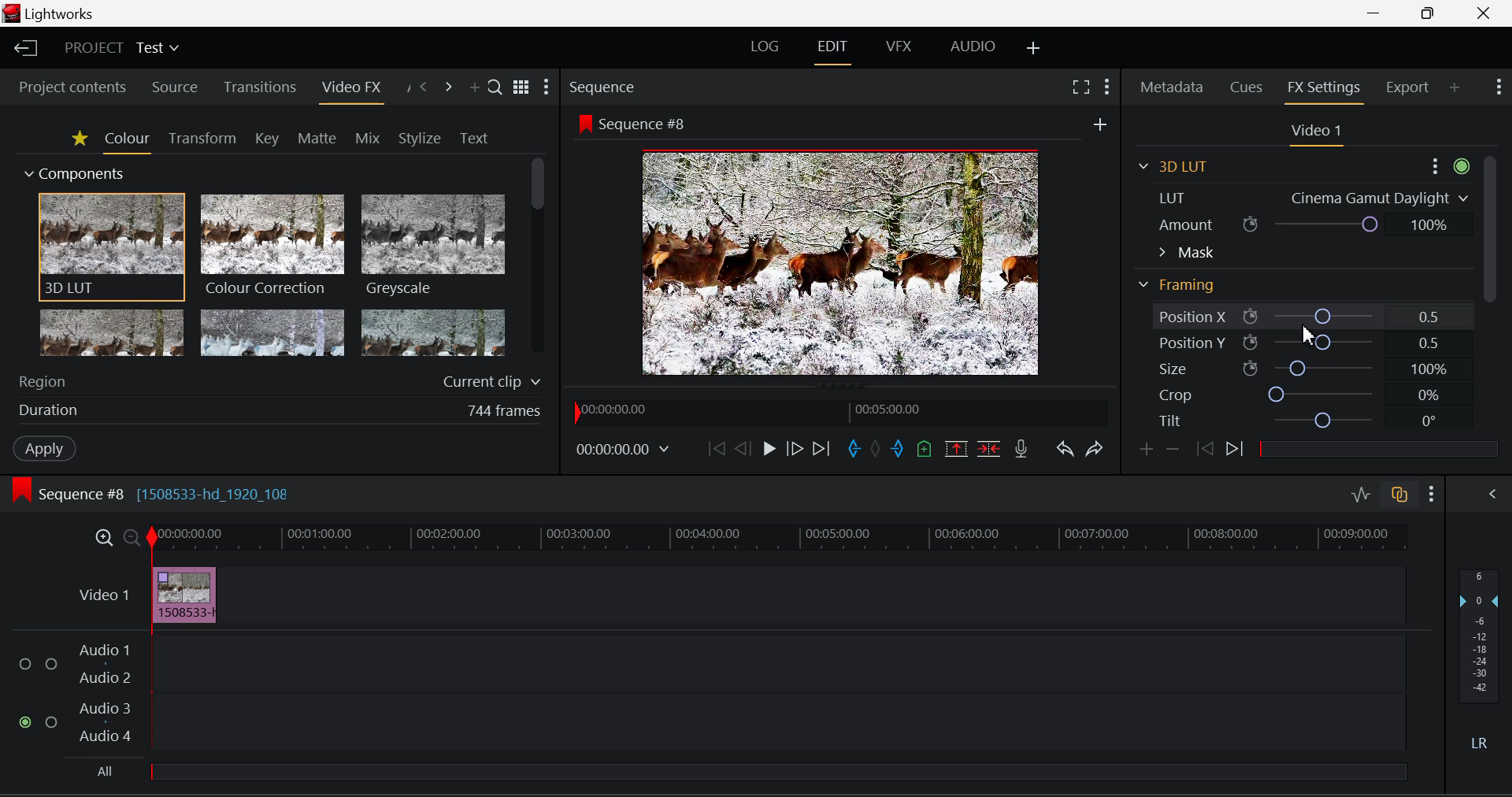  What do you see at coordinates (901, 47) in the screenshot?
I see `VFX Layout` at bounding box center [901, 47].